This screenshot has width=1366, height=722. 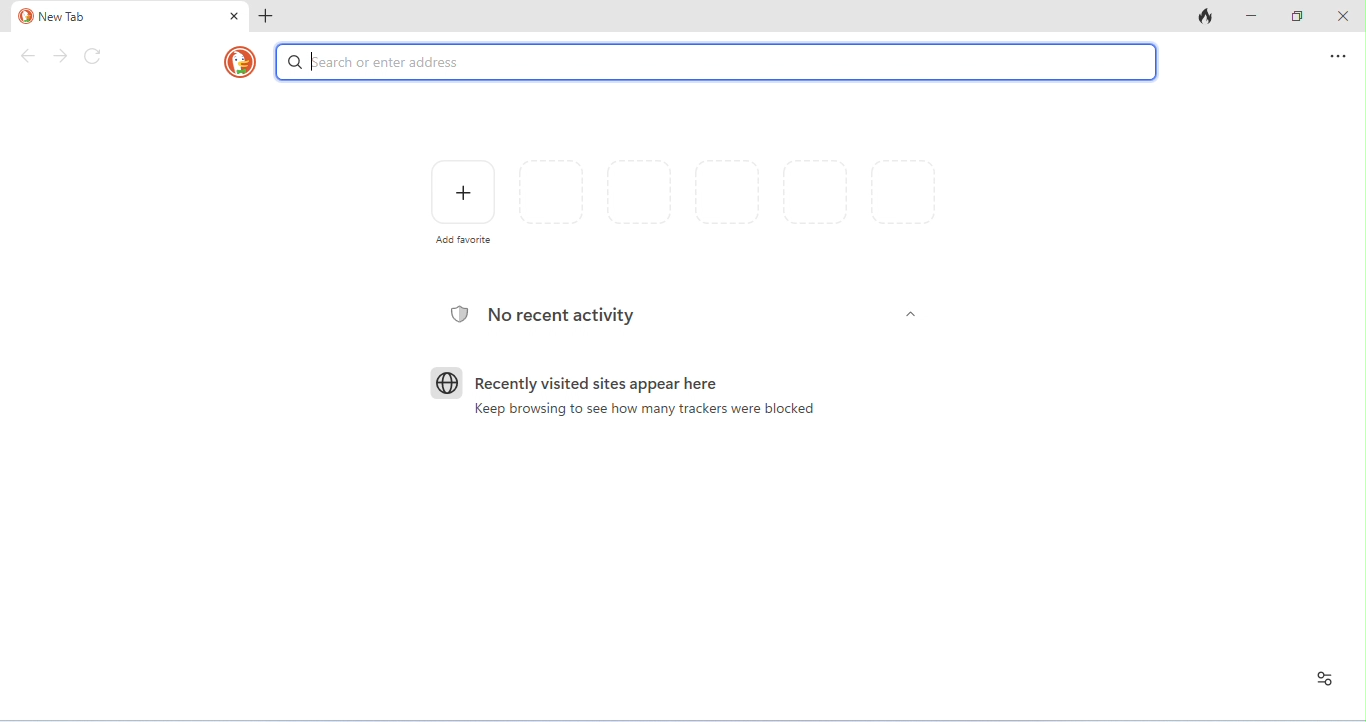 What do you see at coordinates (464, 192) in the screenshot?
I see `add favorite` at bounding box center [464, 192].